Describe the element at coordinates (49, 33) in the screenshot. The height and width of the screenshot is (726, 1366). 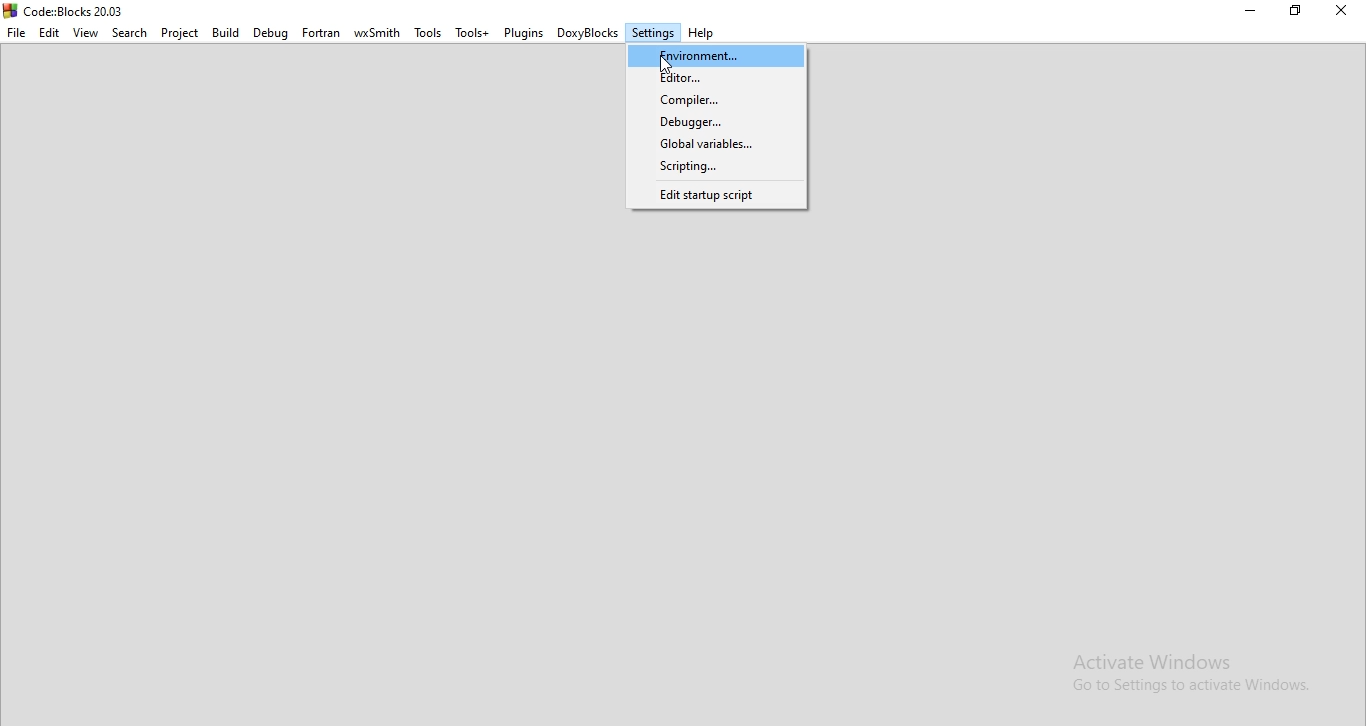
I see `Edit` at that location.